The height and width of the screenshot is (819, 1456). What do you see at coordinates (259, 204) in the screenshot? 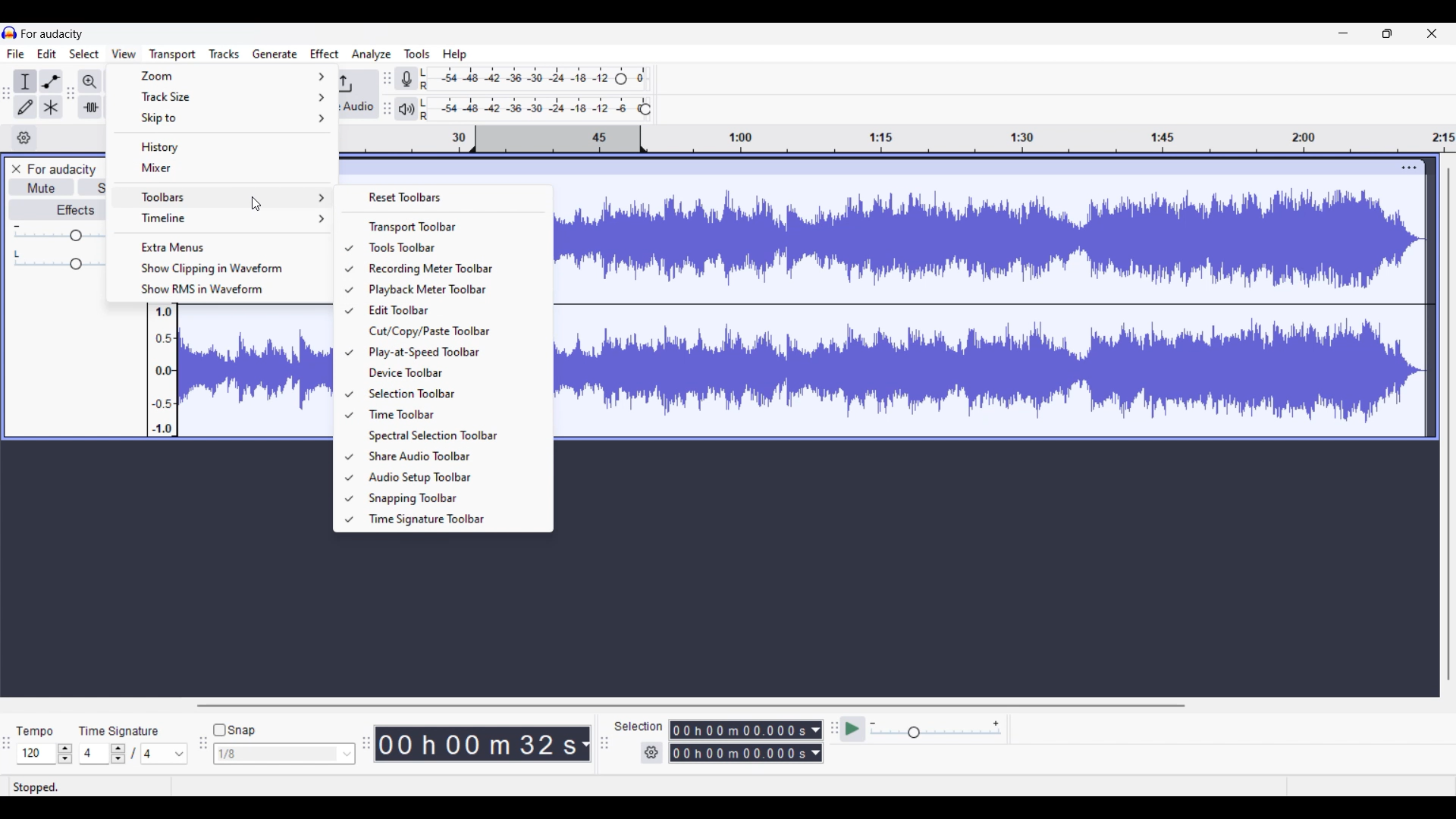
I see `Cursor` at bounding box center [259, 204].